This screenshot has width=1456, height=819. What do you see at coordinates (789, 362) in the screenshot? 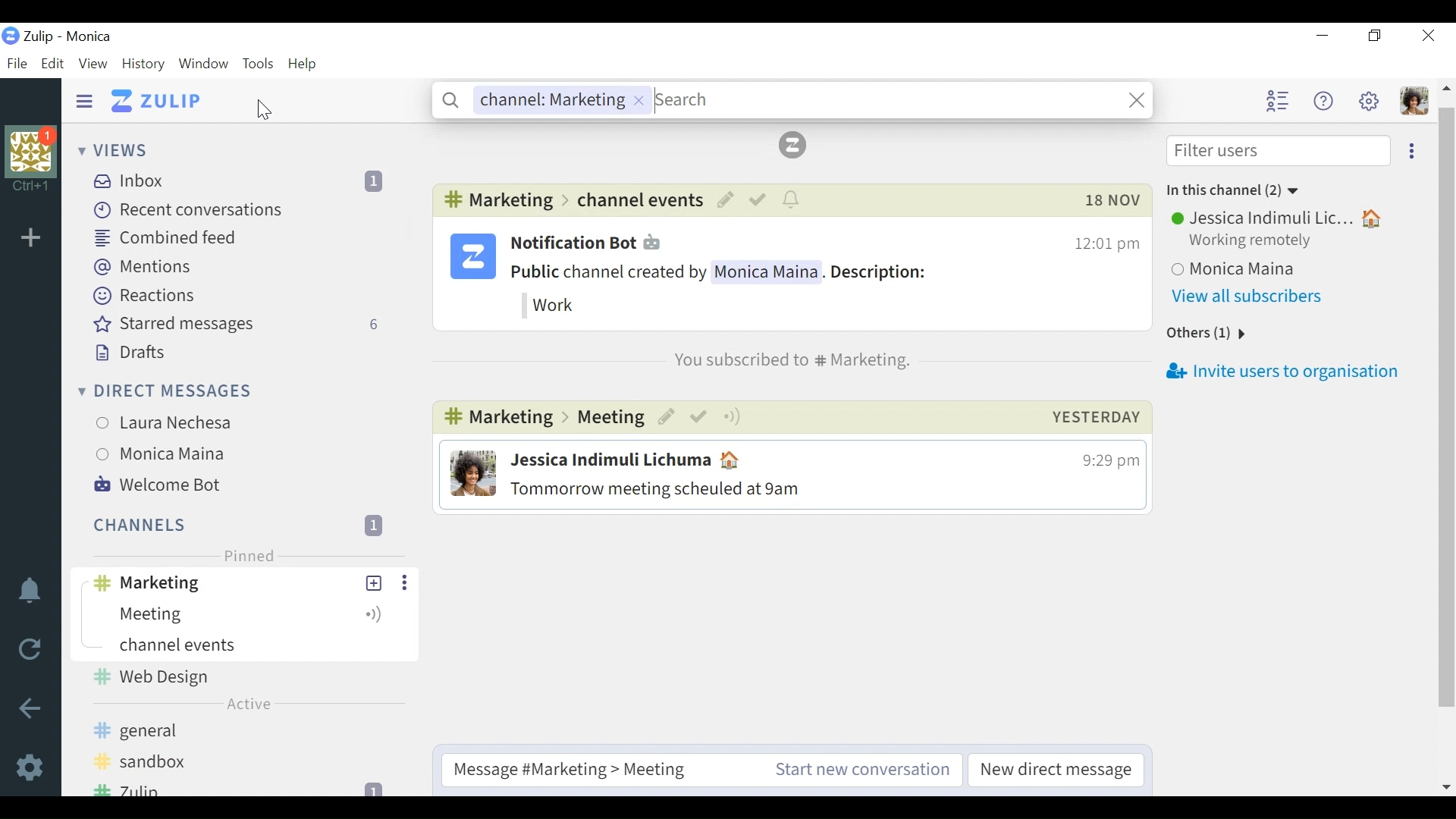
I see `You subscribed to #channel` at bounding box center [789, 362].